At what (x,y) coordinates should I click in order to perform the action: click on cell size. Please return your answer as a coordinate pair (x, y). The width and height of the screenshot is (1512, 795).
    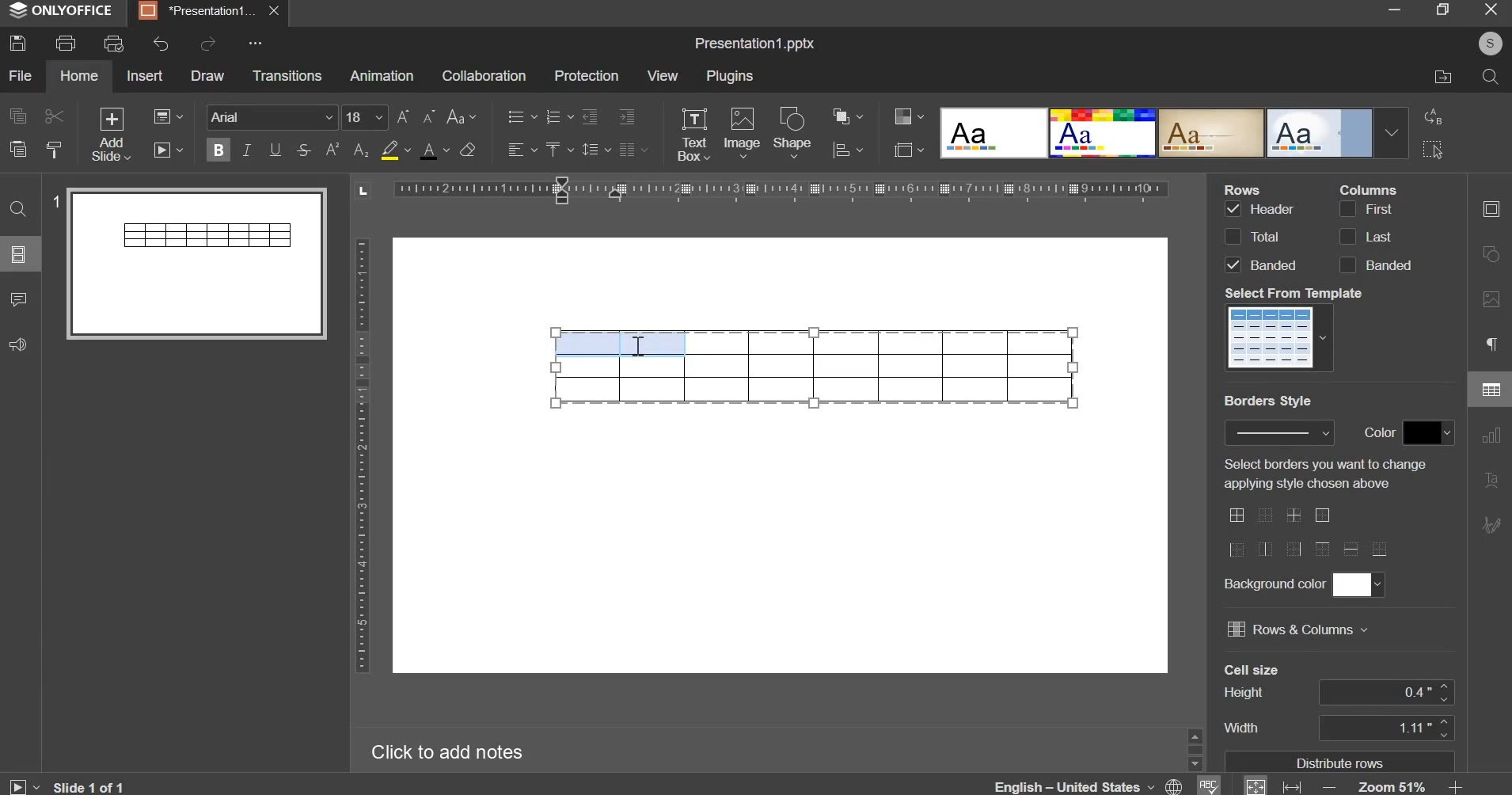
    Looking at the image, I should click on (1386, 692).